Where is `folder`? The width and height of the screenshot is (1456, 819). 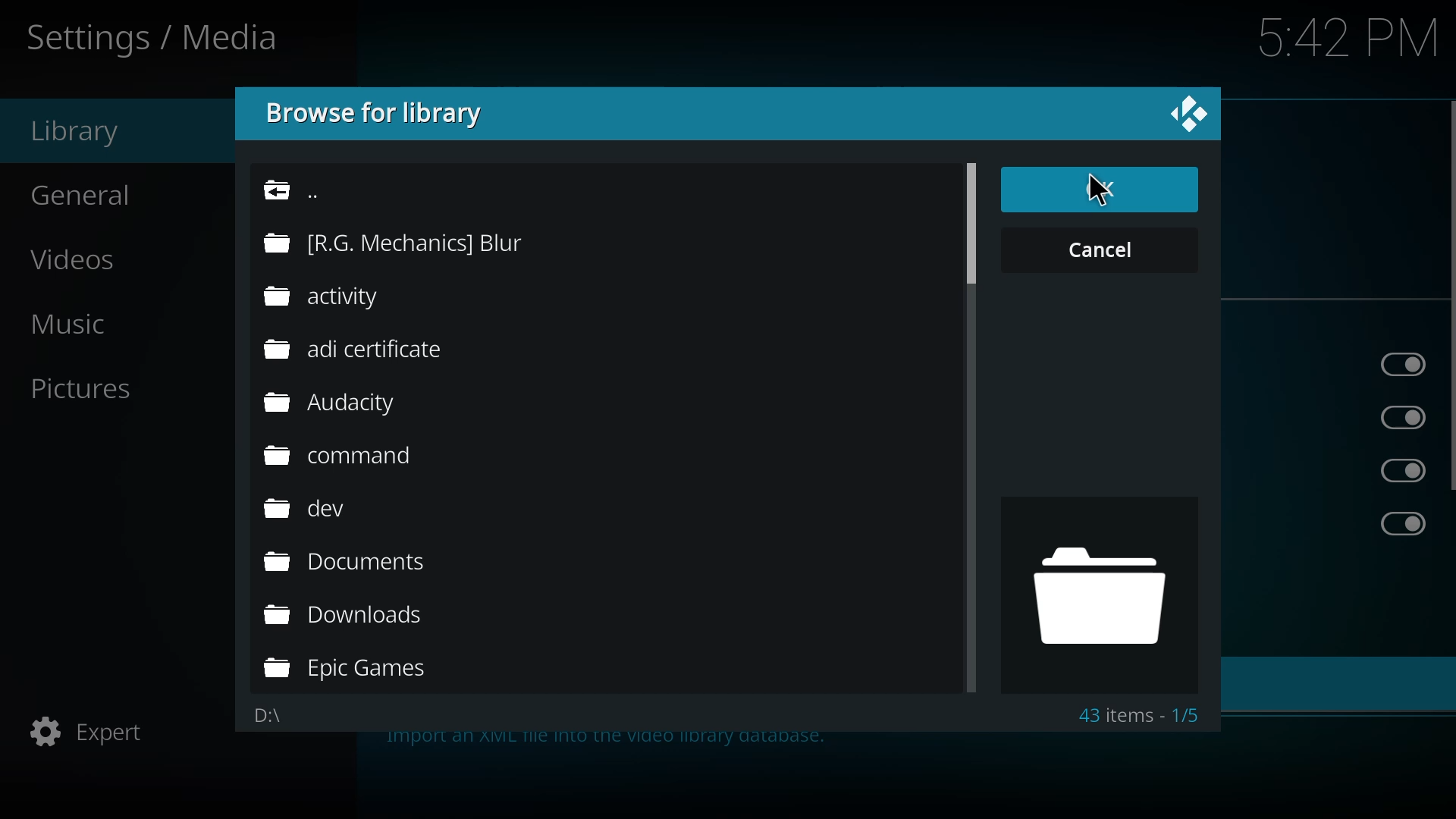
folder is located at coordinates (350, 457).